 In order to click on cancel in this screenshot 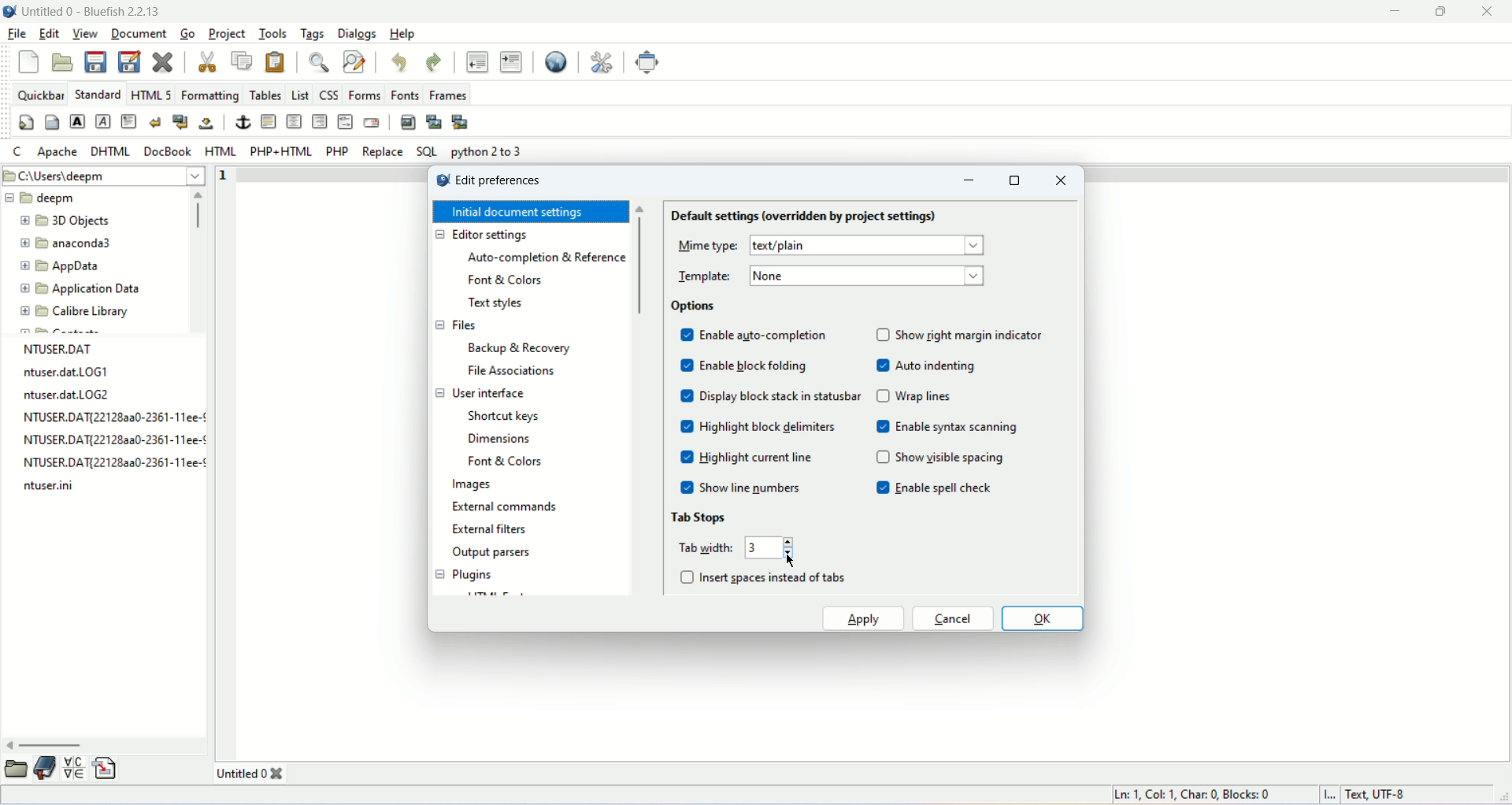, I will do `click(955, 618)`.